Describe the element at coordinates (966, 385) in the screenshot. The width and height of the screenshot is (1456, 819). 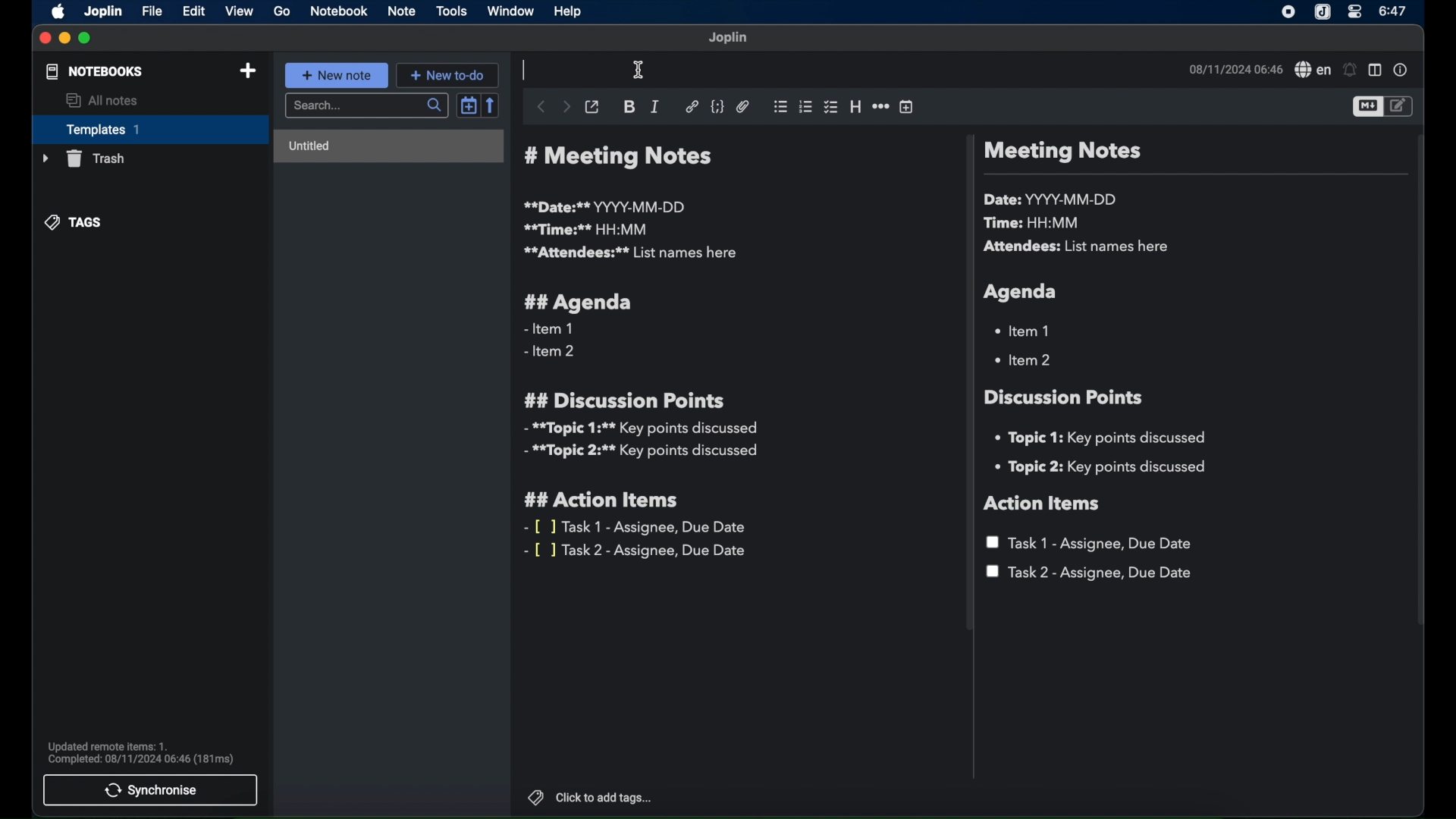
I see `scroll bar` at that location.